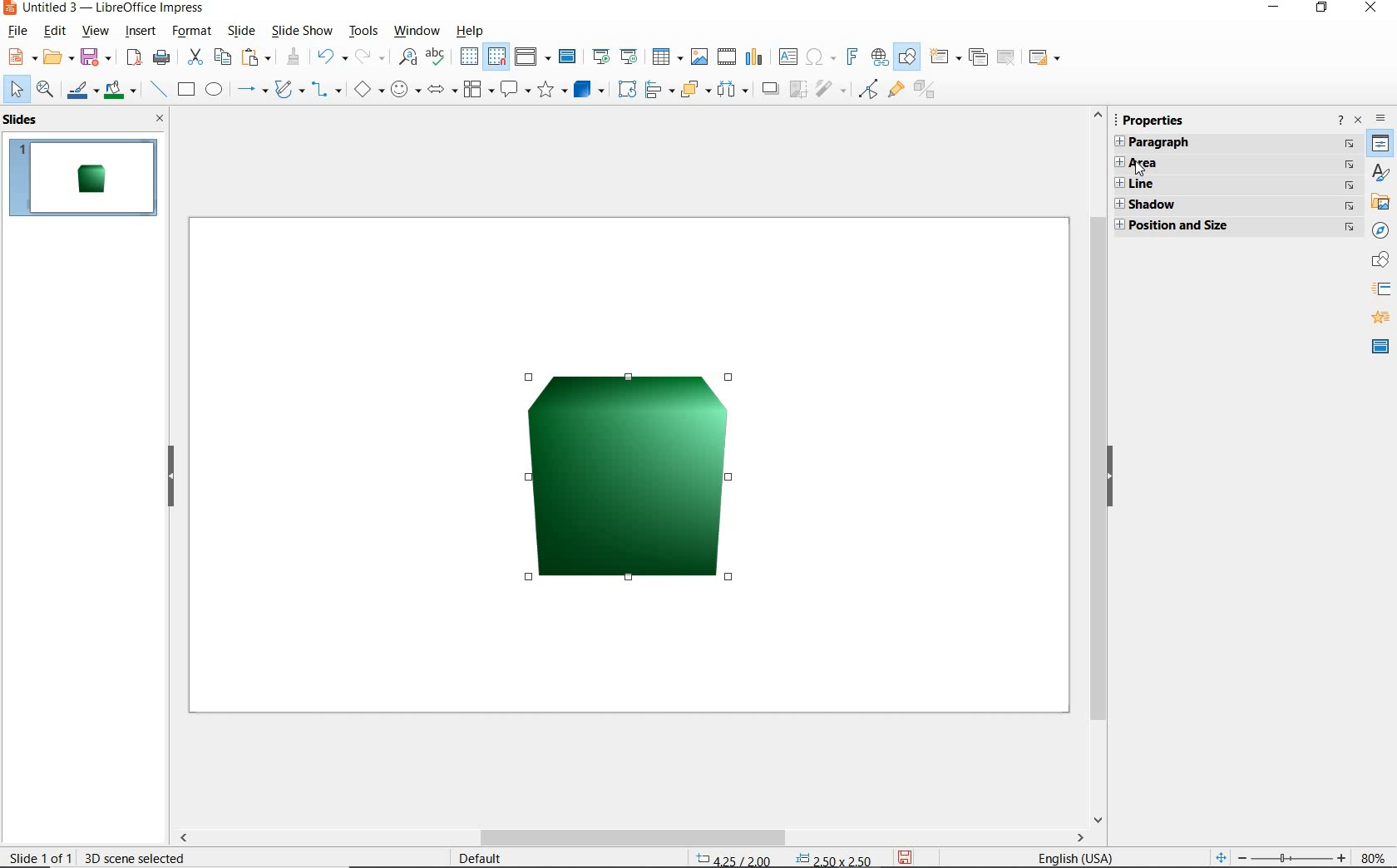 The height and width of the screenshot is (868, 1397). I want to click on redo, so click(371, 57).